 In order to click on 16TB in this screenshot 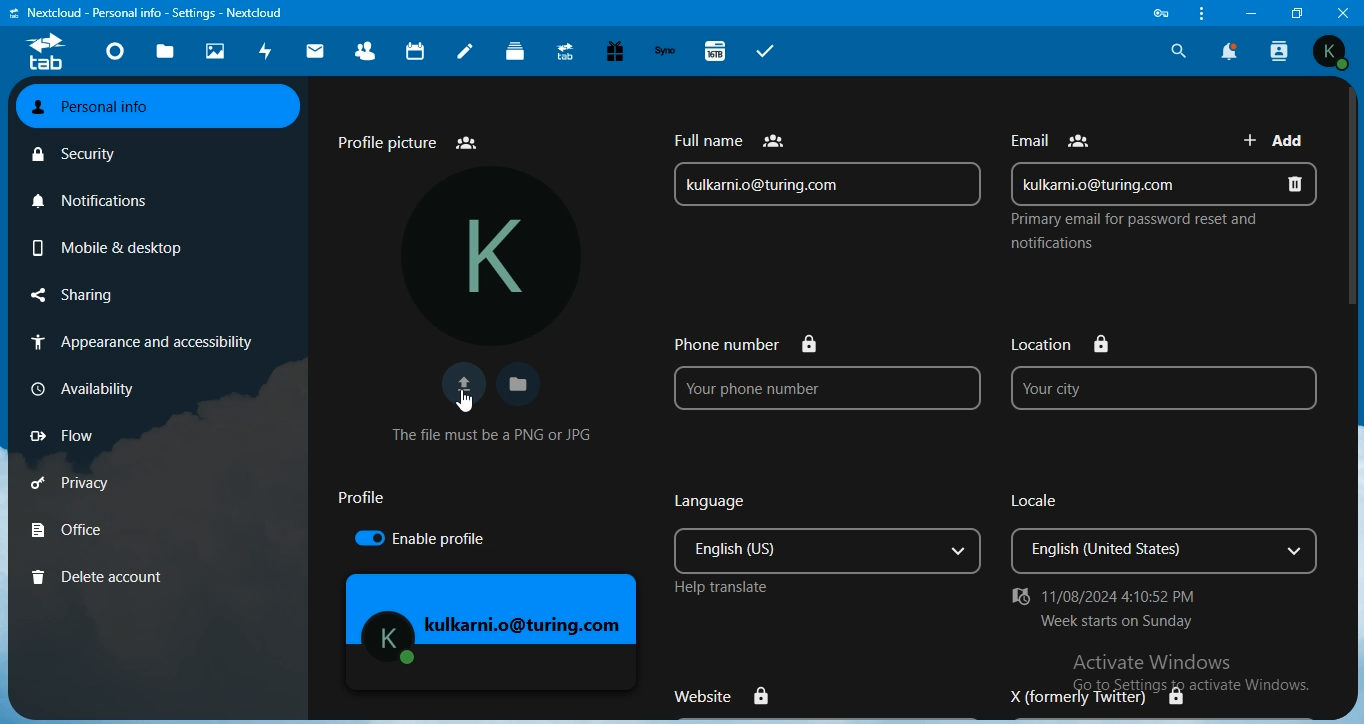, I will do `click(717, 50)`.